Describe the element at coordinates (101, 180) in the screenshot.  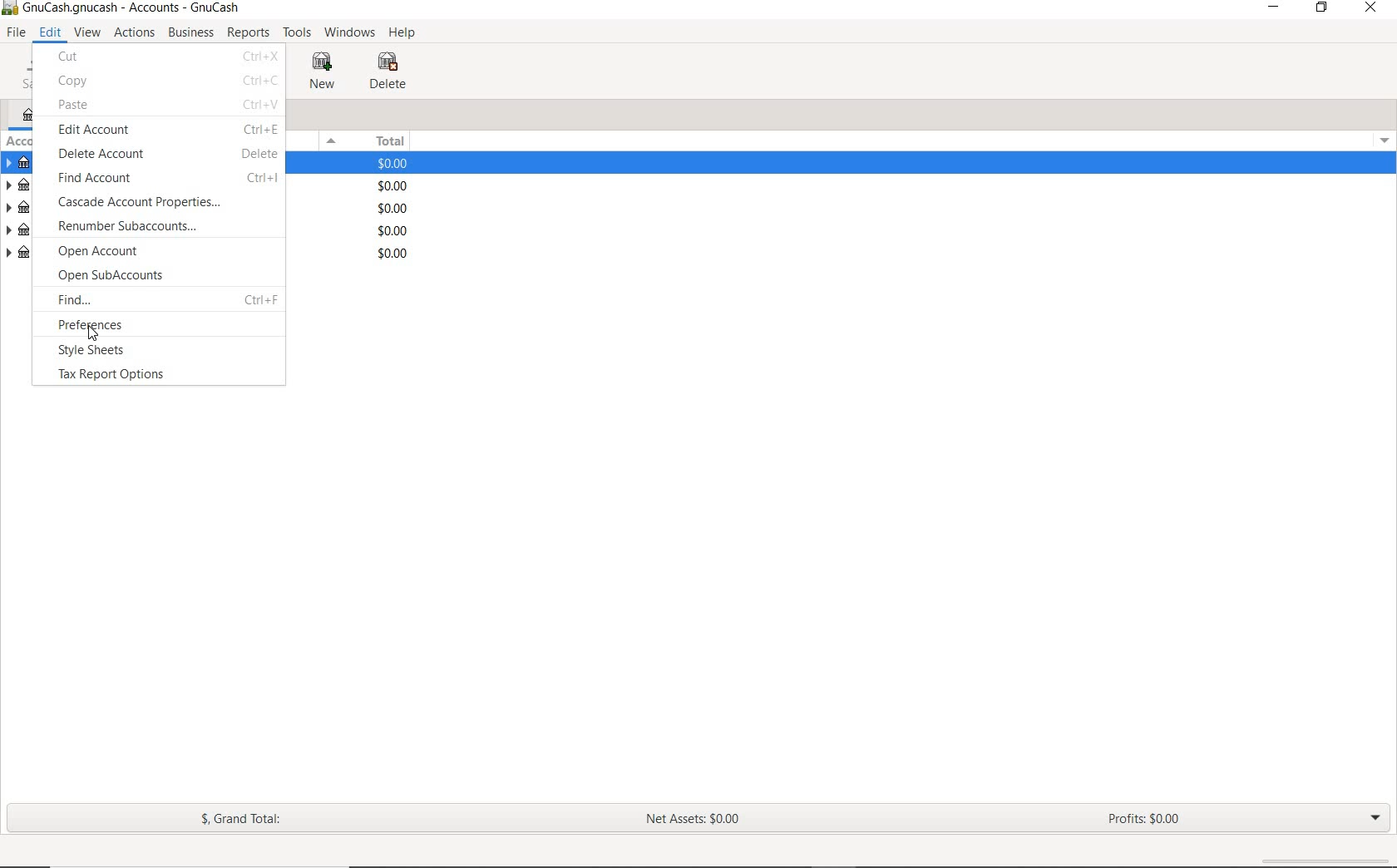
I see `FIND ACCOUNT` at that location.